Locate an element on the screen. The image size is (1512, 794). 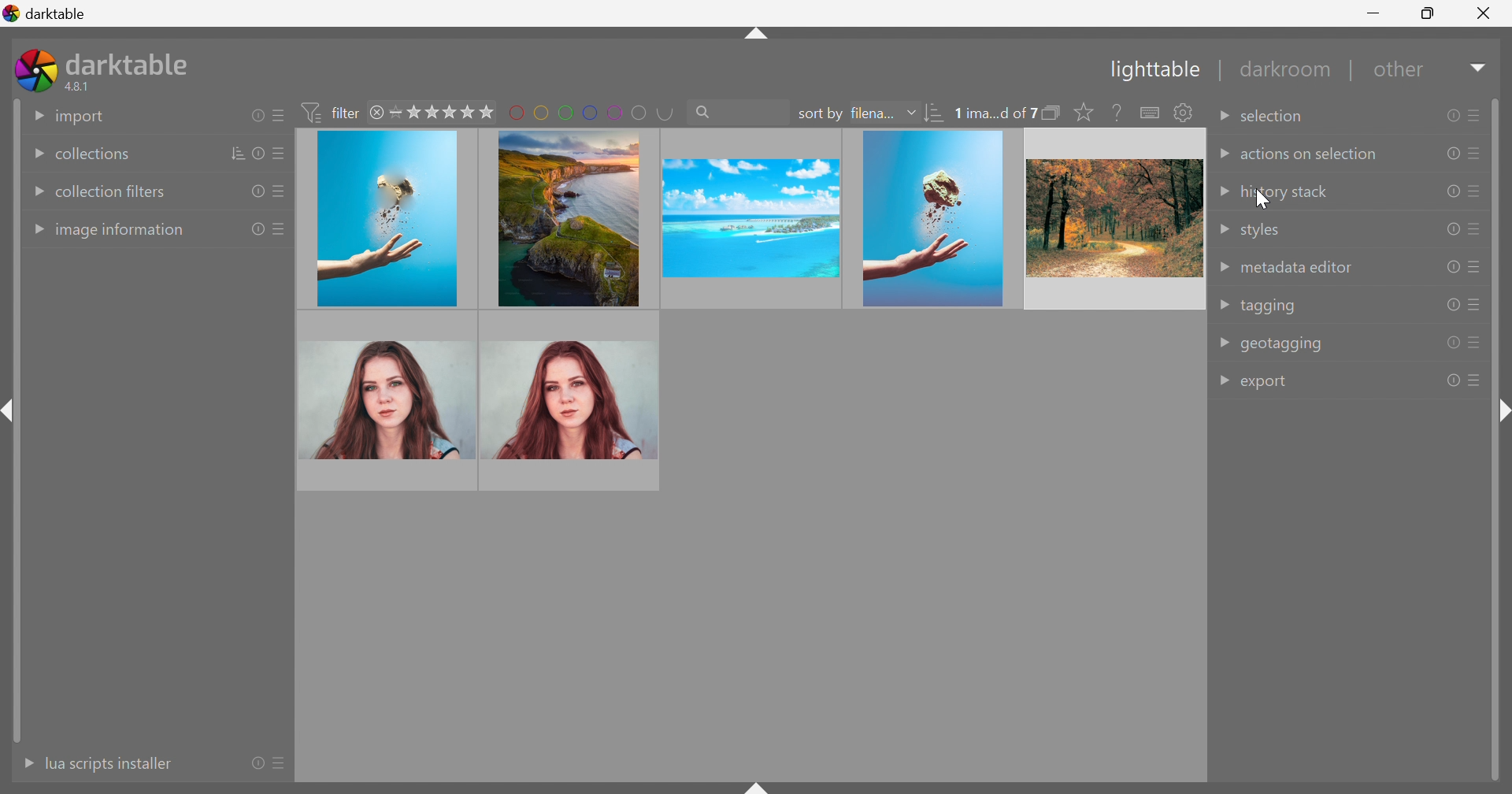
filter is located at coordinates (334, 112).